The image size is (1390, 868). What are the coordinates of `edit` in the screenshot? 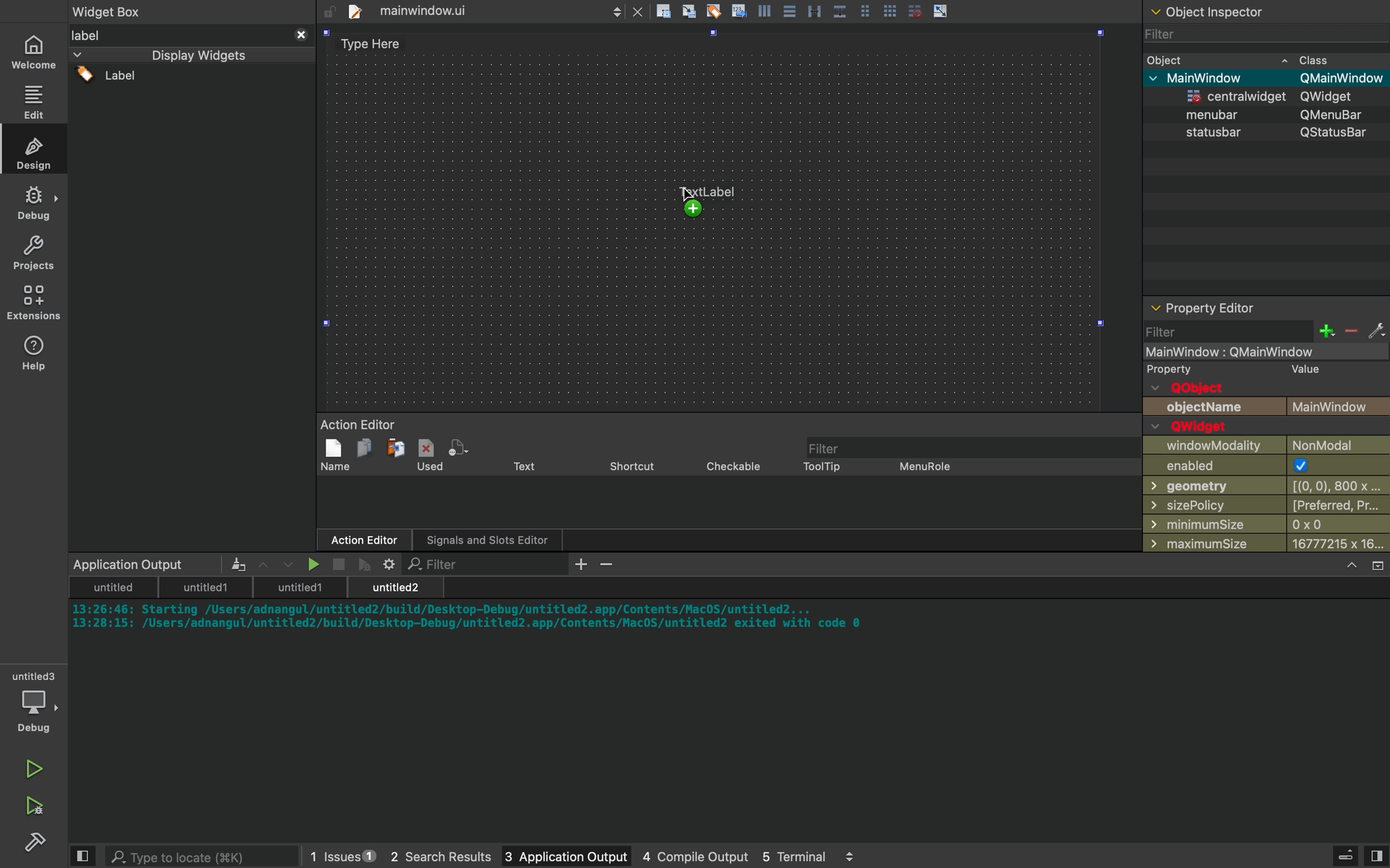 It's located at (36, 101).